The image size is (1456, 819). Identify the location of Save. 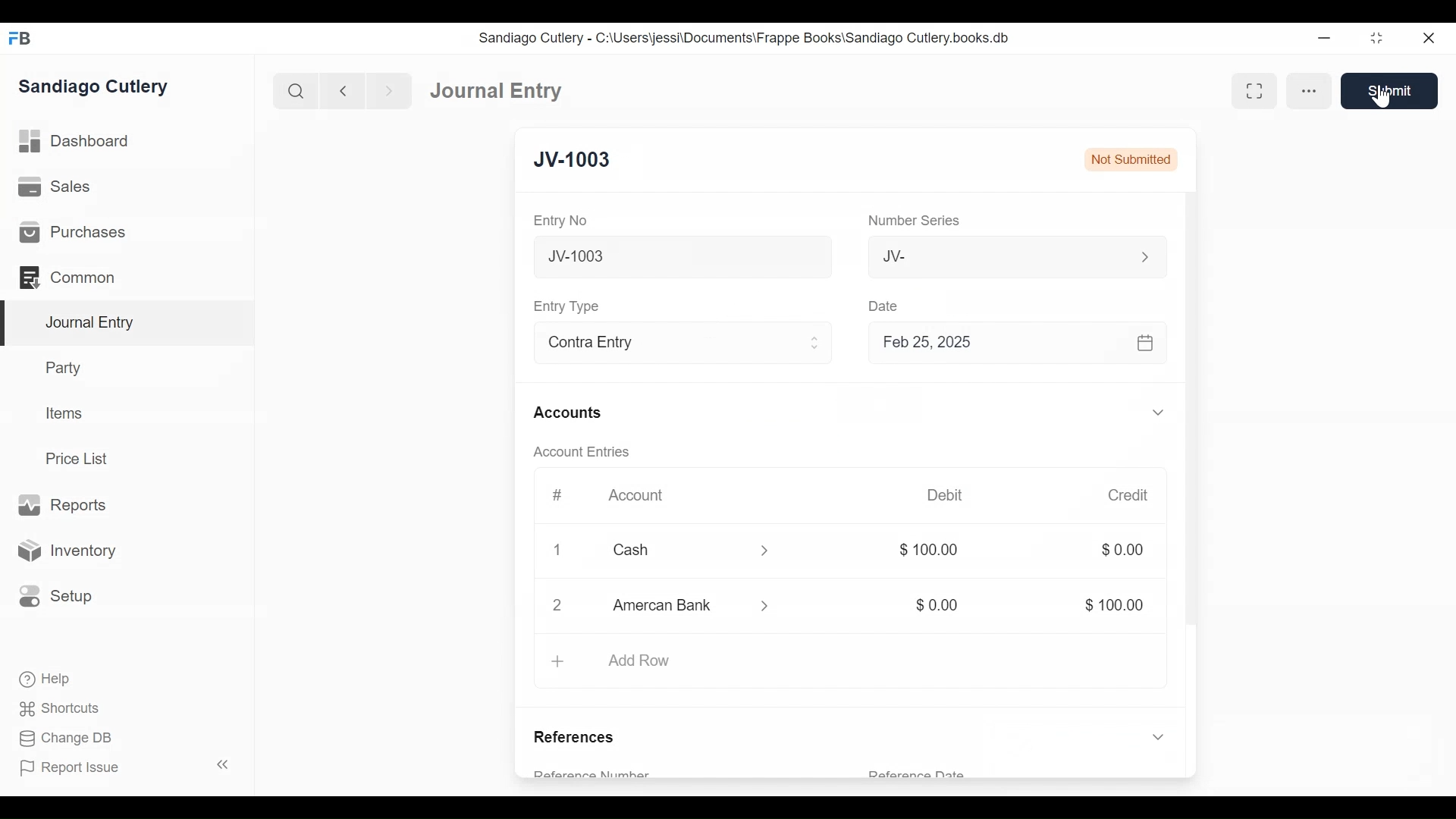
(1391, 91).